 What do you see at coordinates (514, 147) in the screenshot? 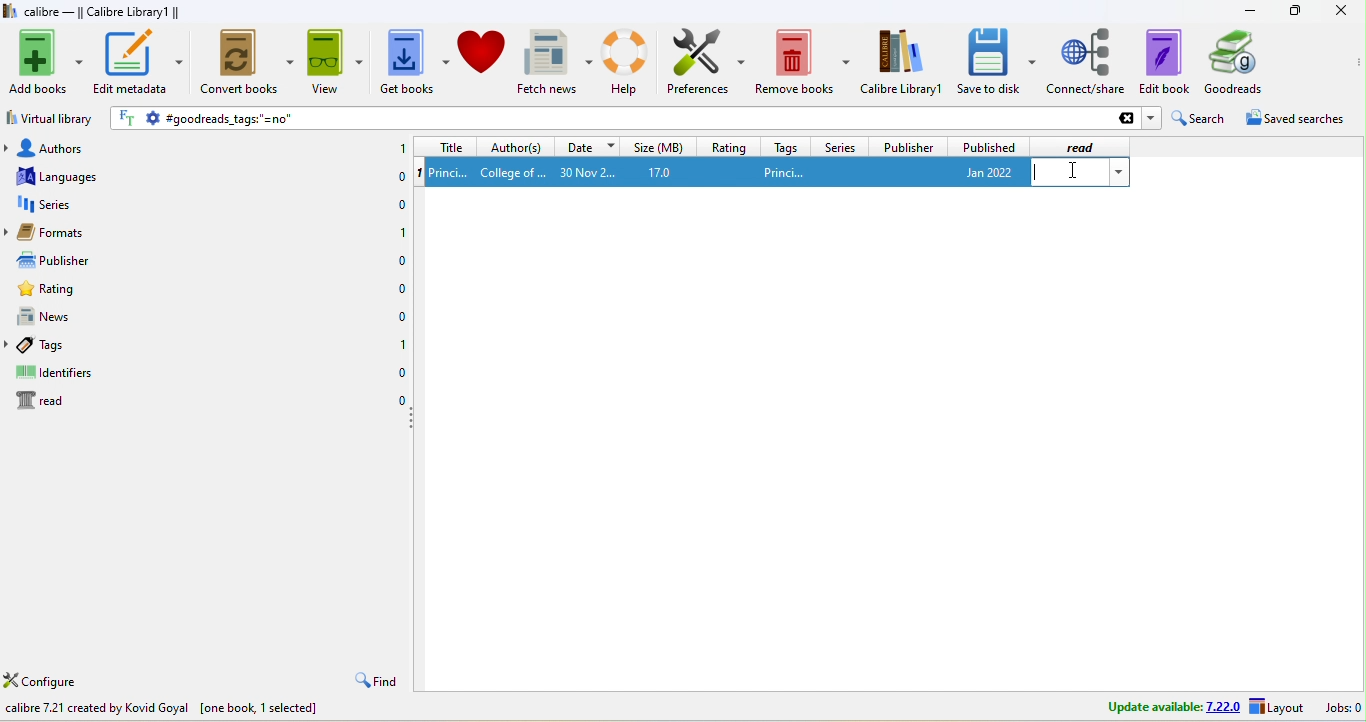
I see `author(s)` at bounding box center [514, 147].